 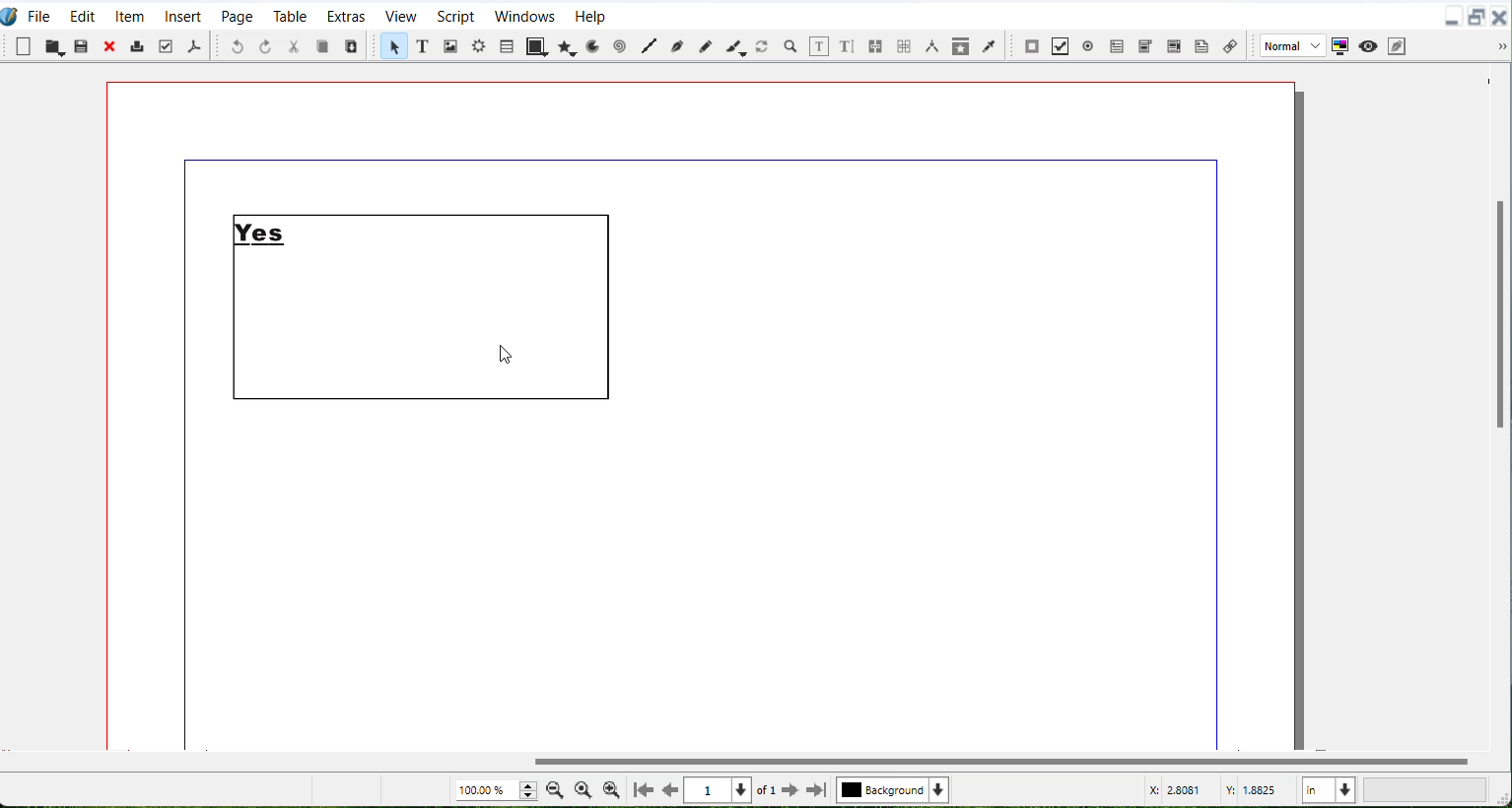 What do you see at coordinates (265, 46) in the screenshot?
I see `Redo` at bounding box center [265, 46].